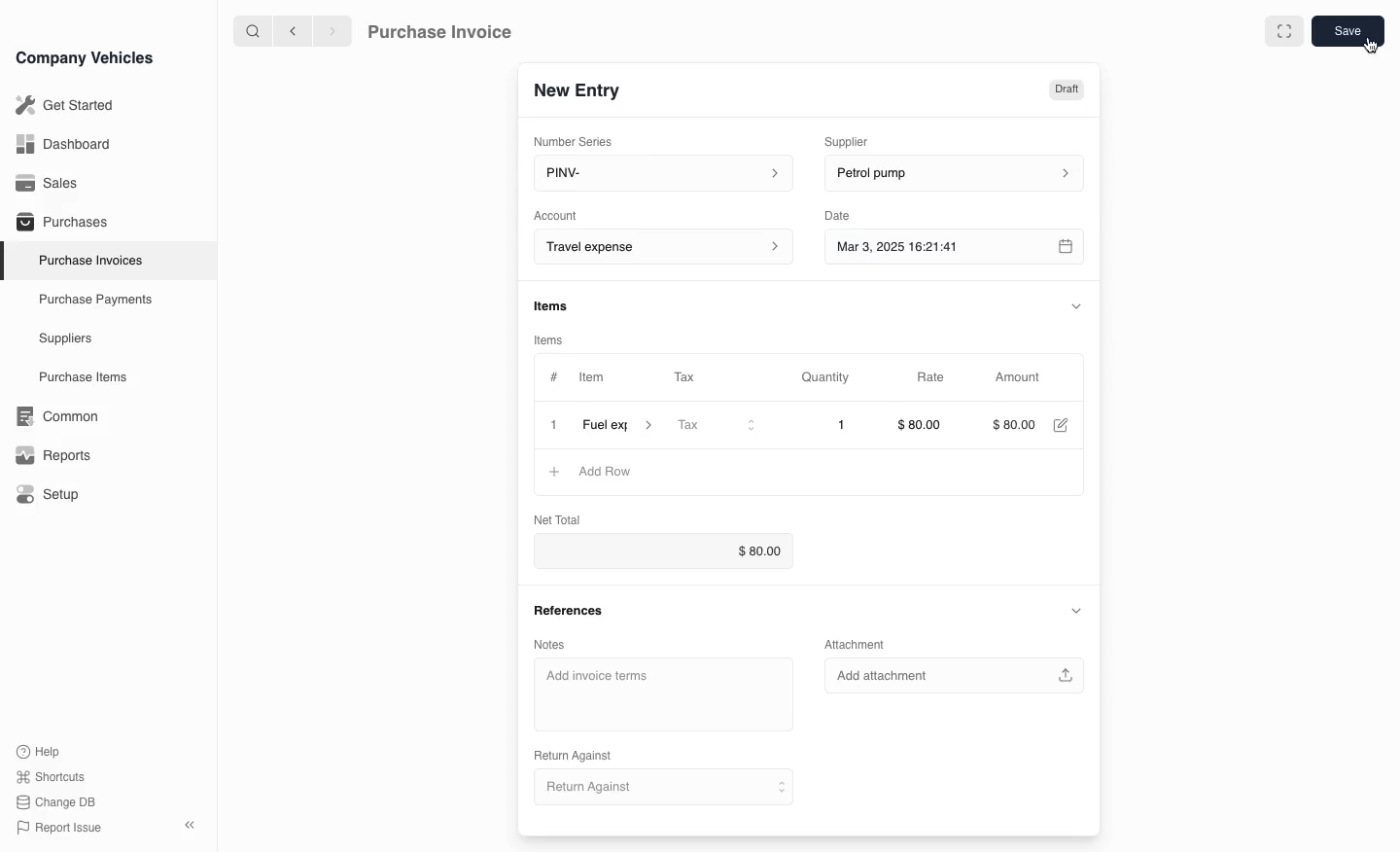  Describe the element at coordinates (87, 260) in the screenshot. I see `Purchase Invoices` at that location.